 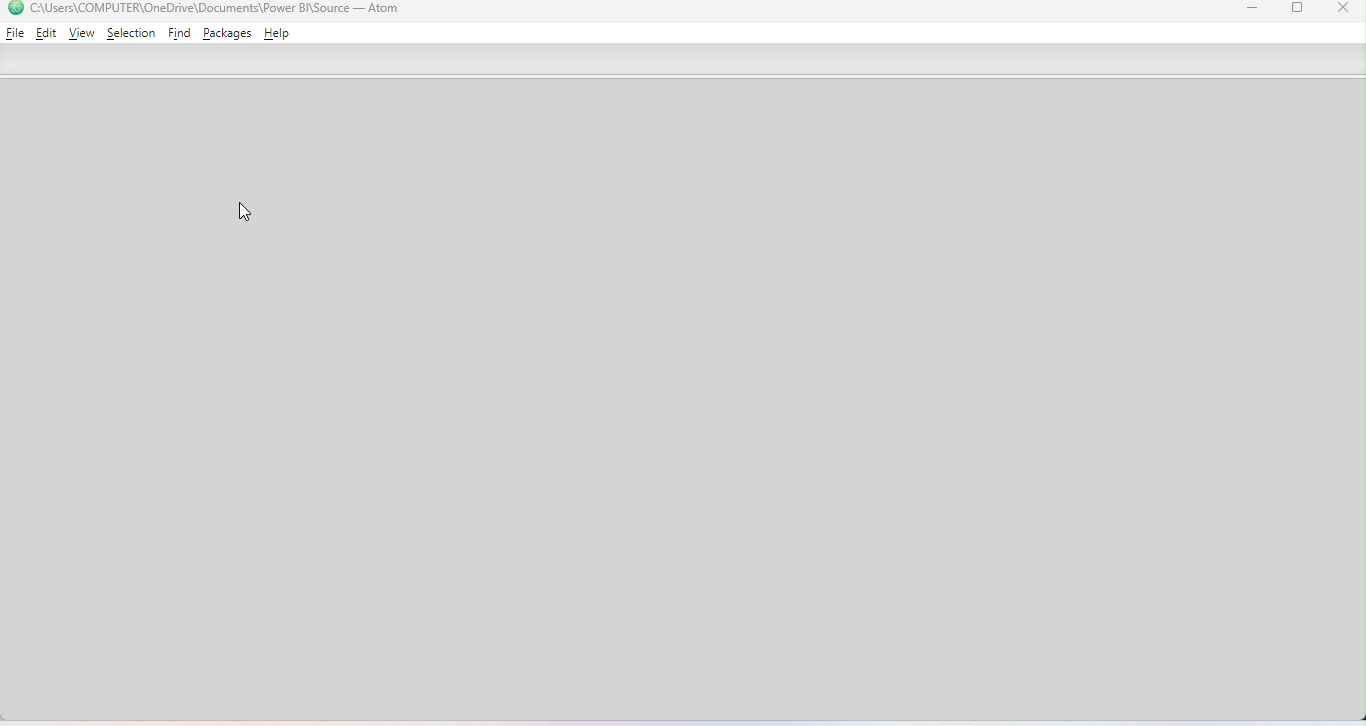 I want to click on Maximize, so click(x=1298, y=11).